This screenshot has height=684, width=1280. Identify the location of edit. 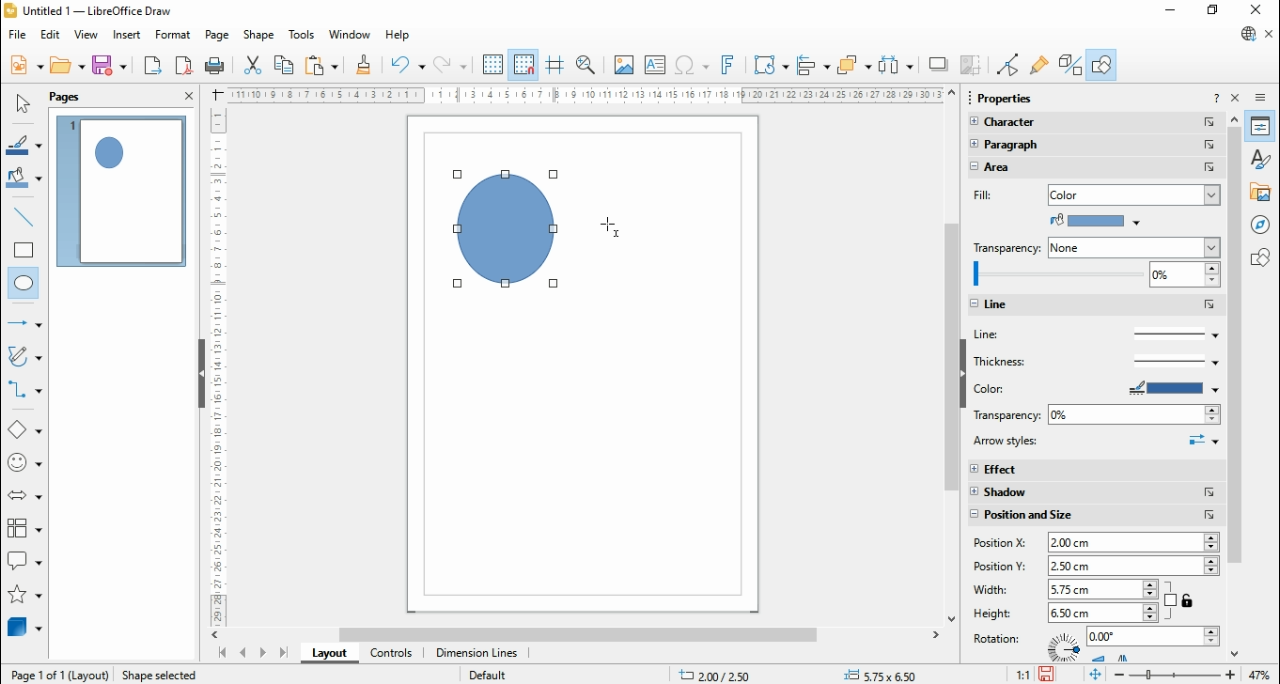
(50, 35).